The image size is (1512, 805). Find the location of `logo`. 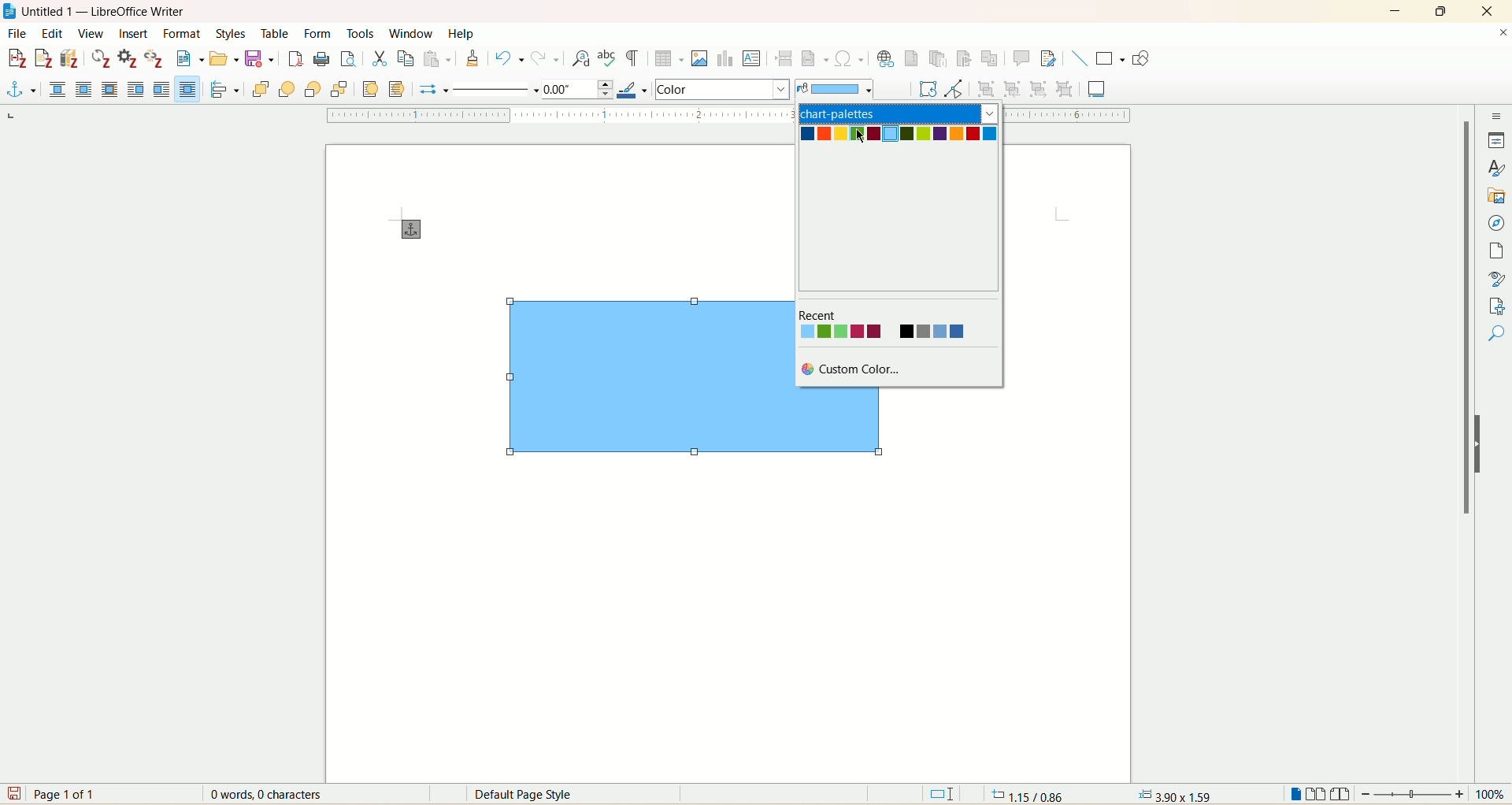

logo is located at coordinates (9, 12).